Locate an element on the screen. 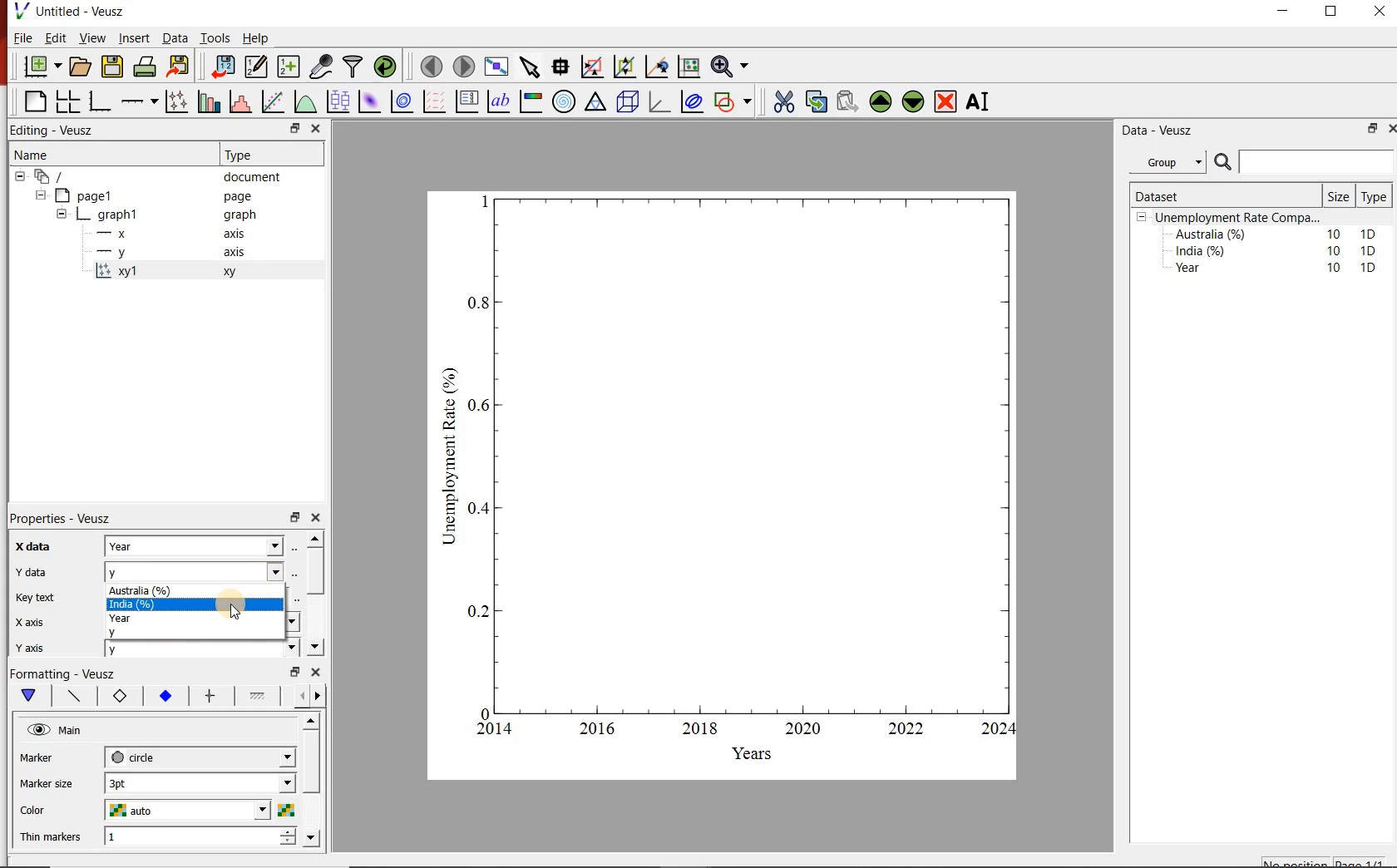 The width and height of the screenshot is (1397, 868). Editing - Veusz is located at coordinates (55, 129).